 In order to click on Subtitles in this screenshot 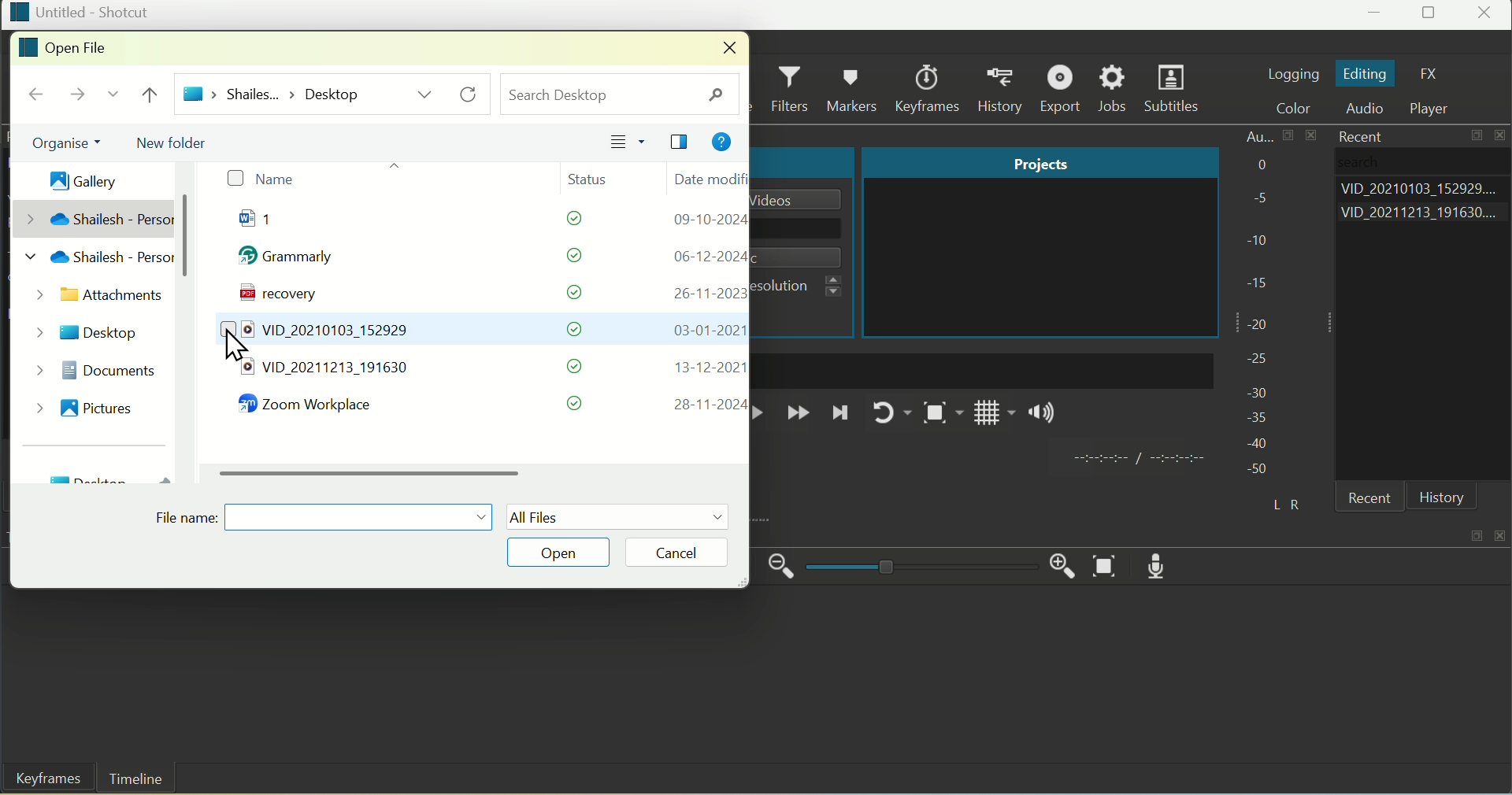, I will do `click(1175, 91)`.